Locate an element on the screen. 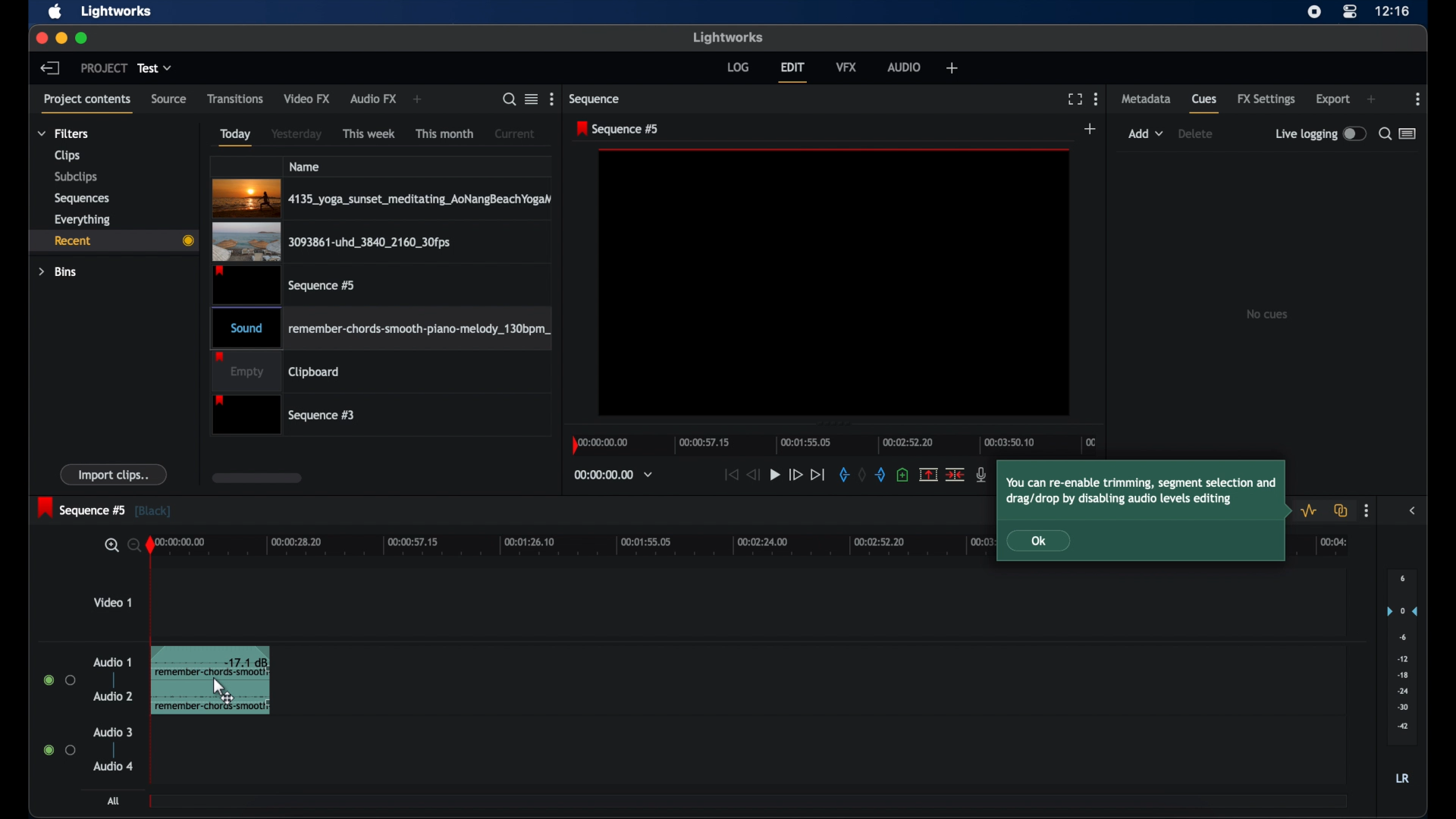 The image size is (1456, 819). add is located at coordinates (1146, 133).